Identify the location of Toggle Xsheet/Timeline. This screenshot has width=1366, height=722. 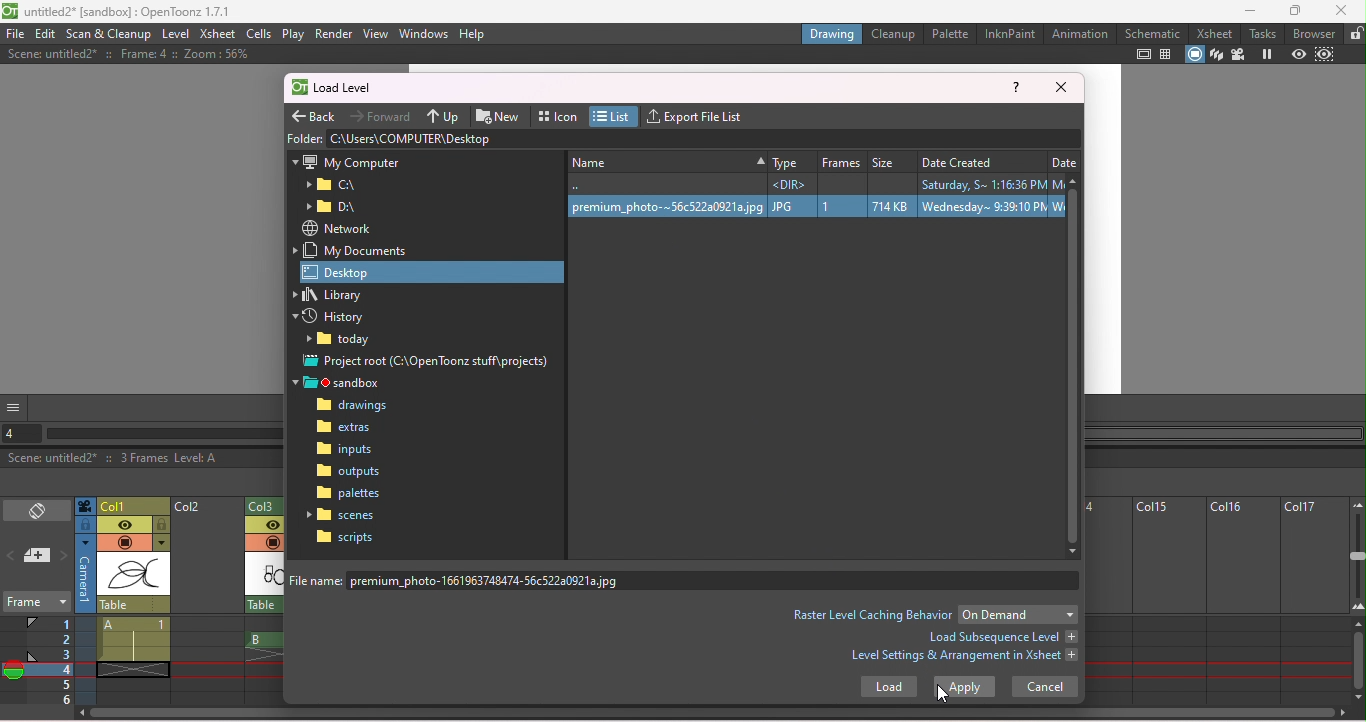
(38, 512).